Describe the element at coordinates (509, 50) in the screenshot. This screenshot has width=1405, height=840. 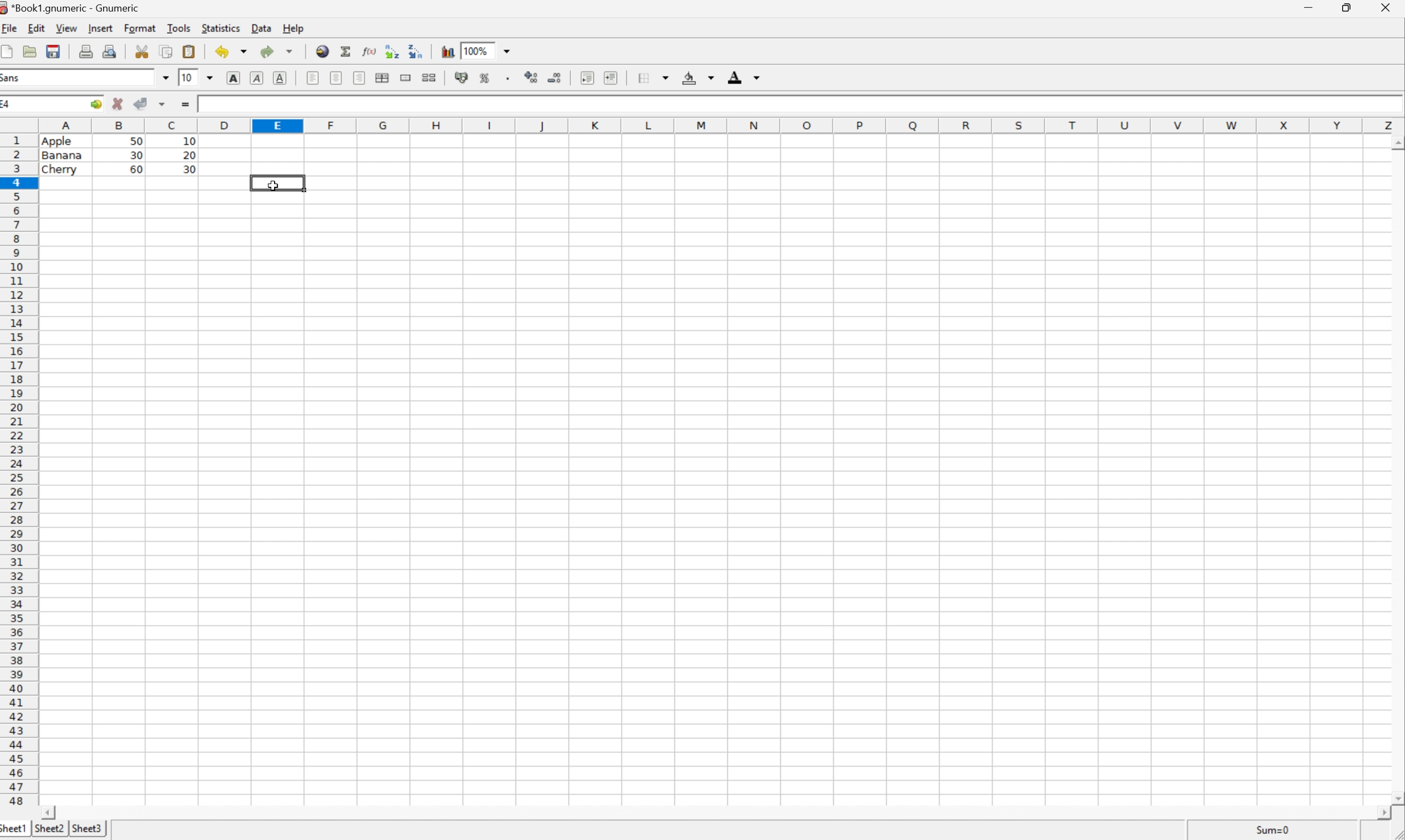
I see `Drop down` at that location.